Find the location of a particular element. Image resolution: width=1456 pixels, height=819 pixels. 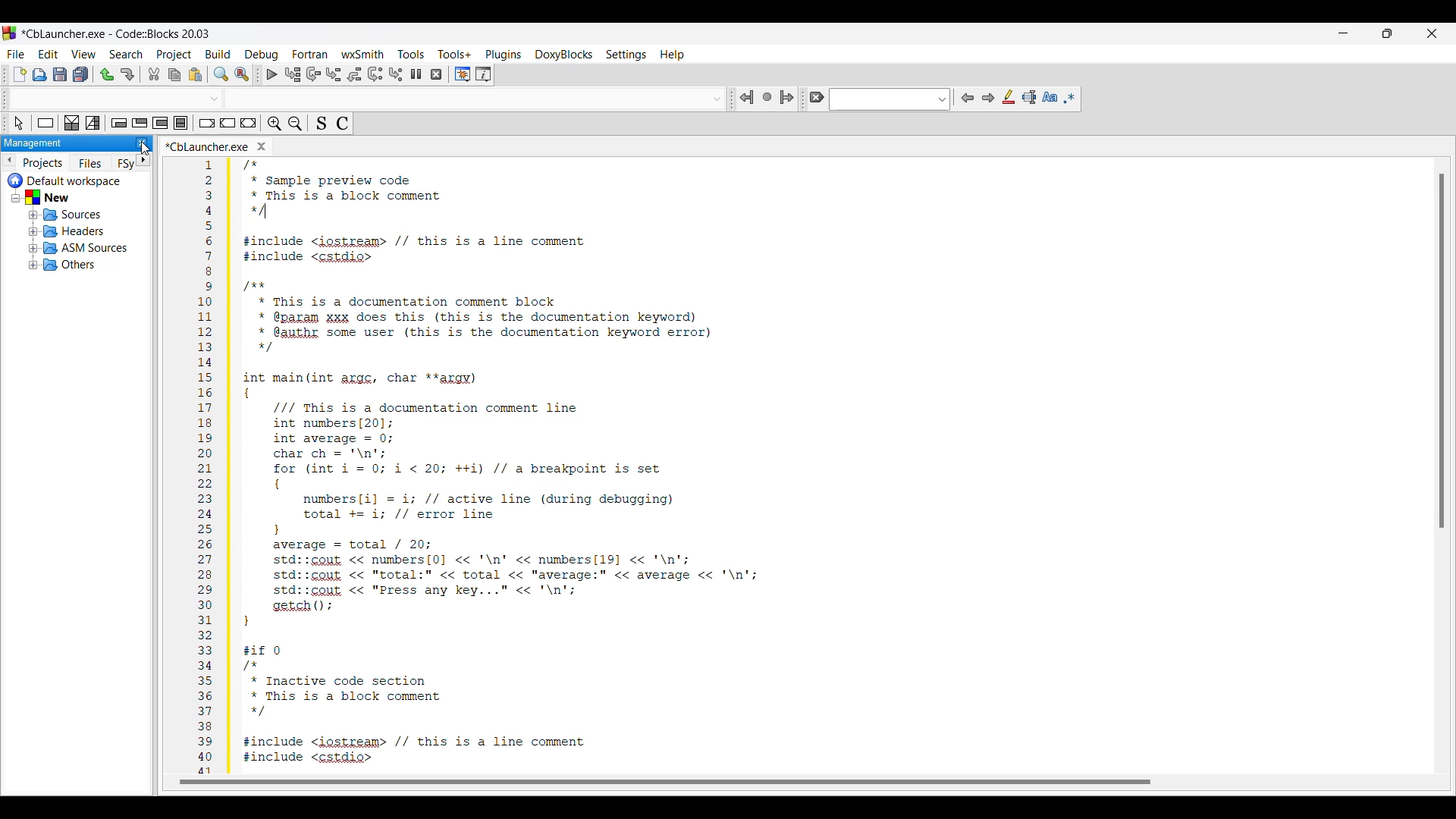

Close tab is located at coordinates (262, 146).